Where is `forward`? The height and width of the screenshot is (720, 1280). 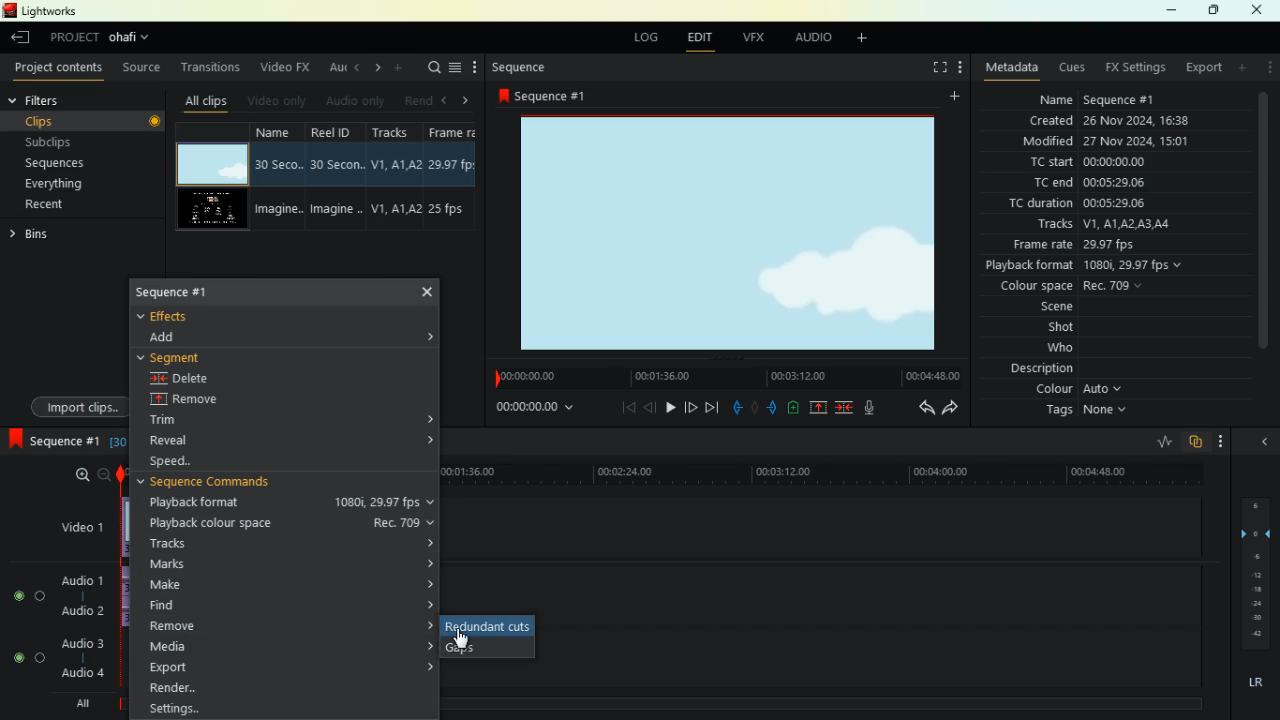 forward is located at coordinates (951, 410).